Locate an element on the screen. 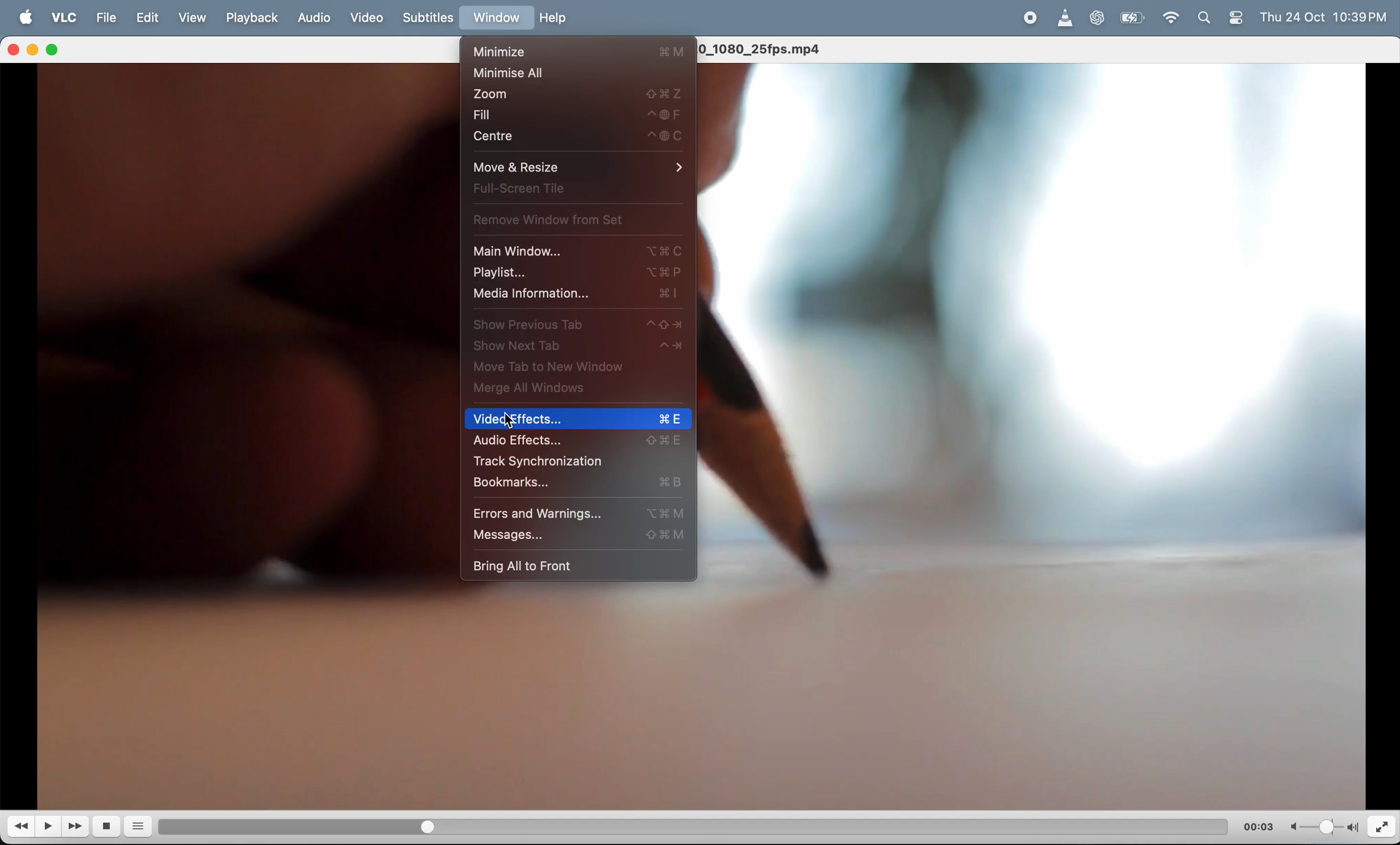 The height and width of the screenshot is (845, 1400). file is located at coordinates (106, 18).